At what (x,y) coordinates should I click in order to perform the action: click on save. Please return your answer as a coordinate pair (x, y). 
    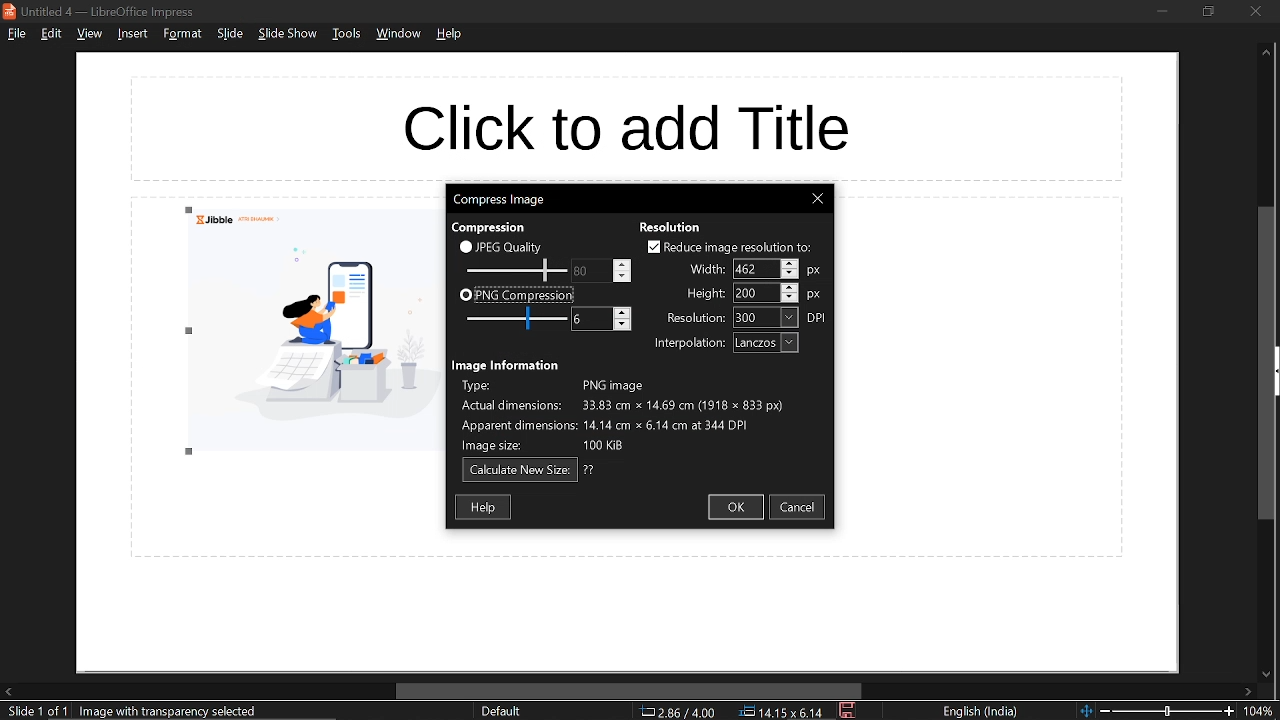
    Looking at the image, I should click on (849, 711).